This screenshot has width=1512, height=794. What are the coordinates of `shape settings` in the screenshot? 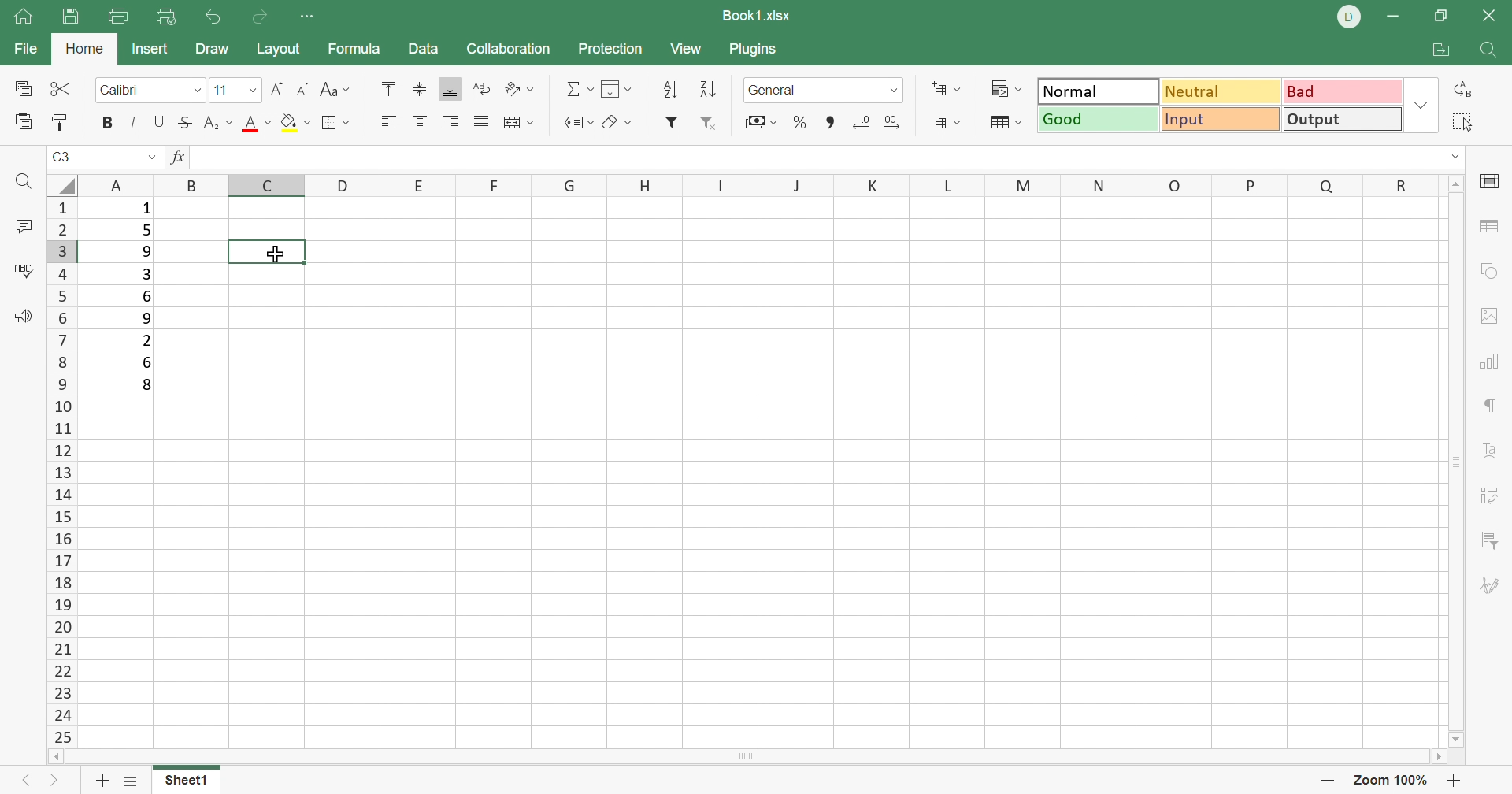 It's located at (1495, 273).